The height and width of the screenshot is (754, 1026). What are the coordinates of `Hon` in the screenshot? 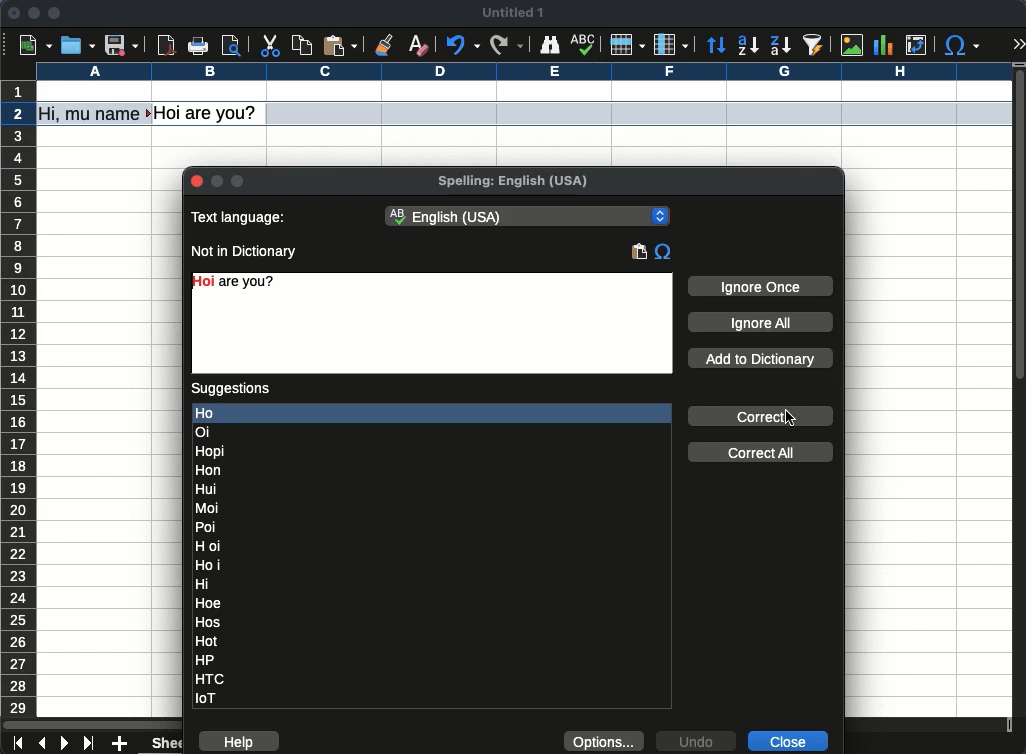 It's located at (211, 470).